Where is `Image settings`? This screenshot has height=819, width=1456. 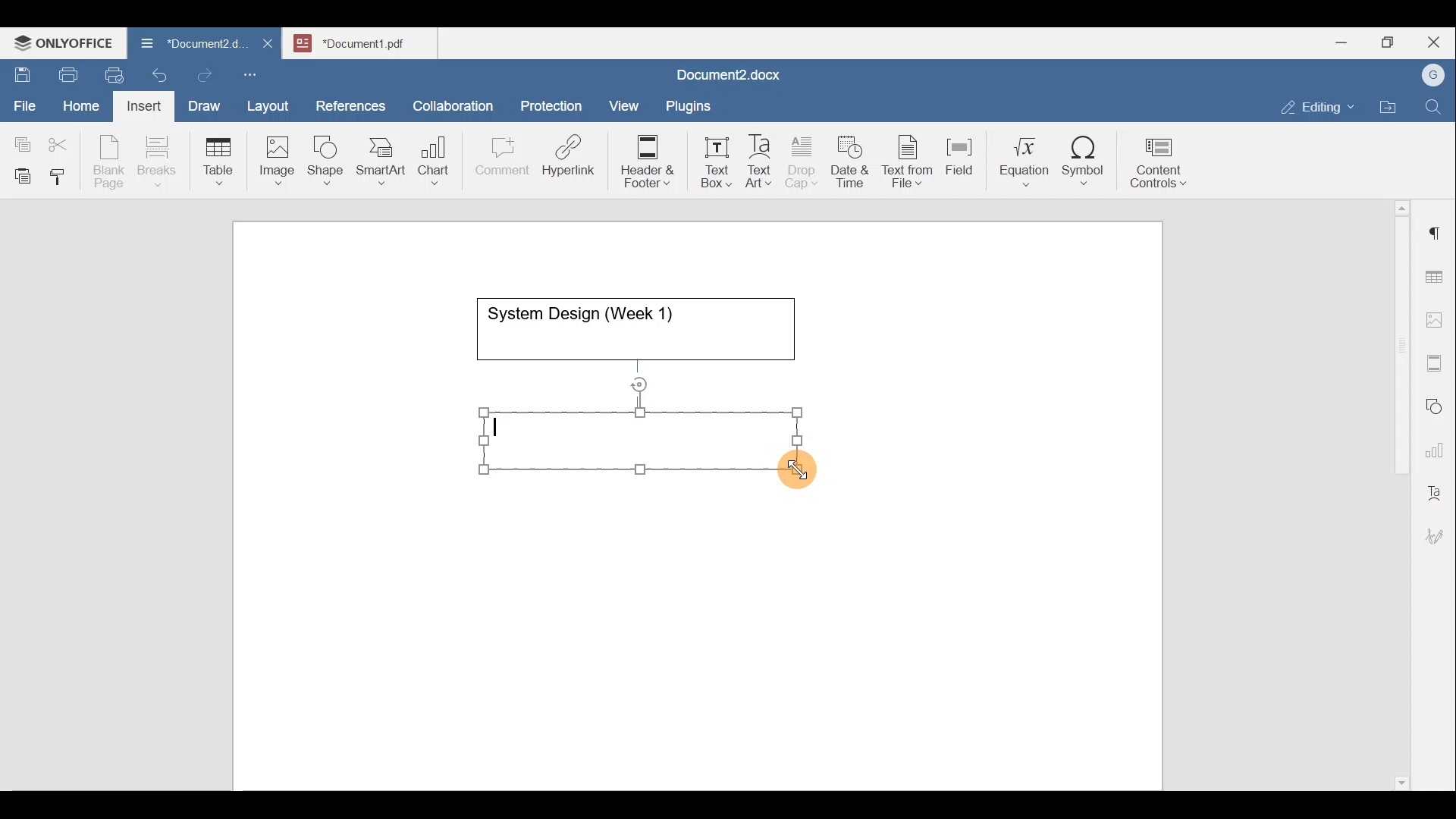 Image settings is located at coordinates (1437, 318).